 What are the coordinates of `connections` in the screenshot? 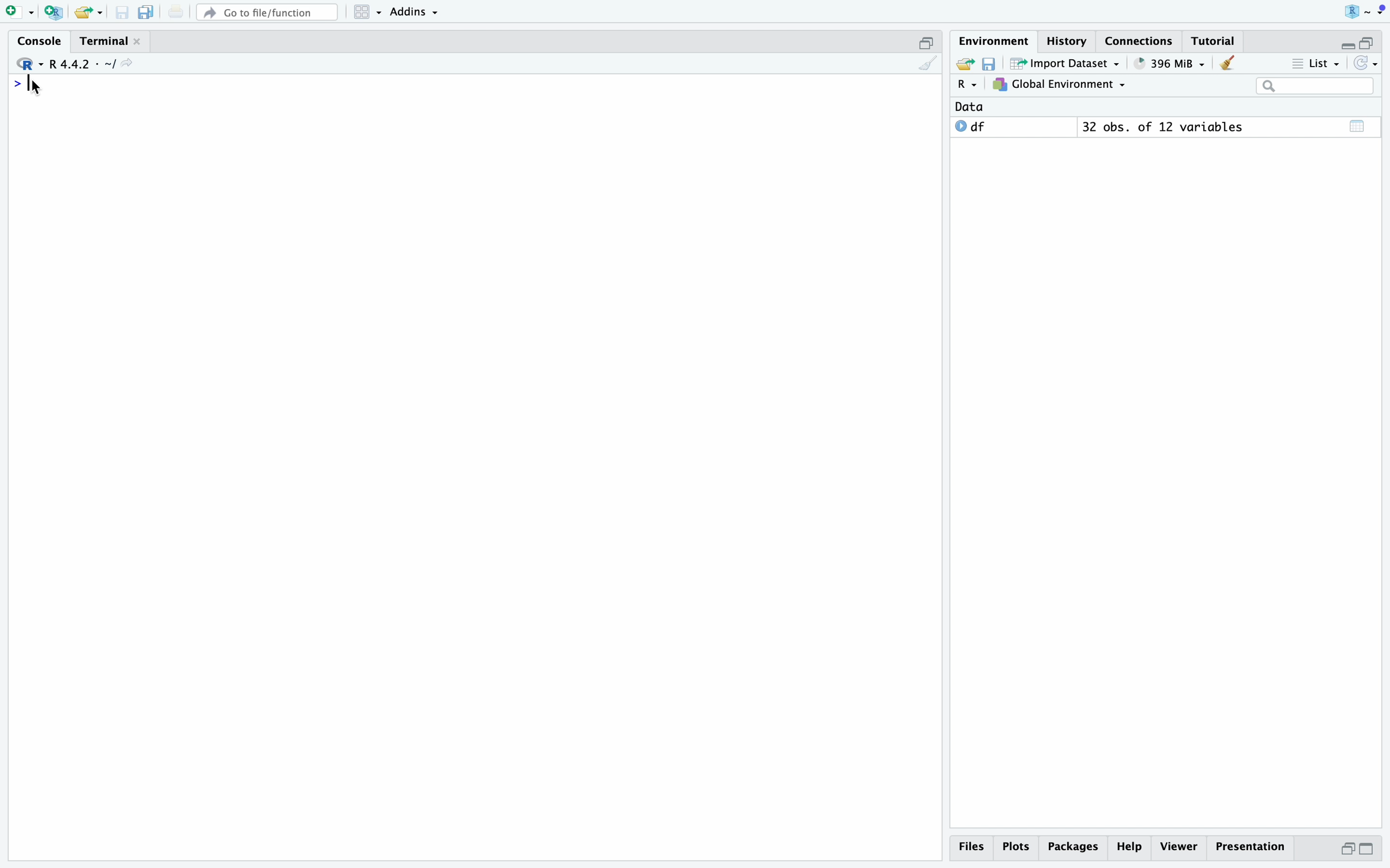 It's located at (1140, 41).